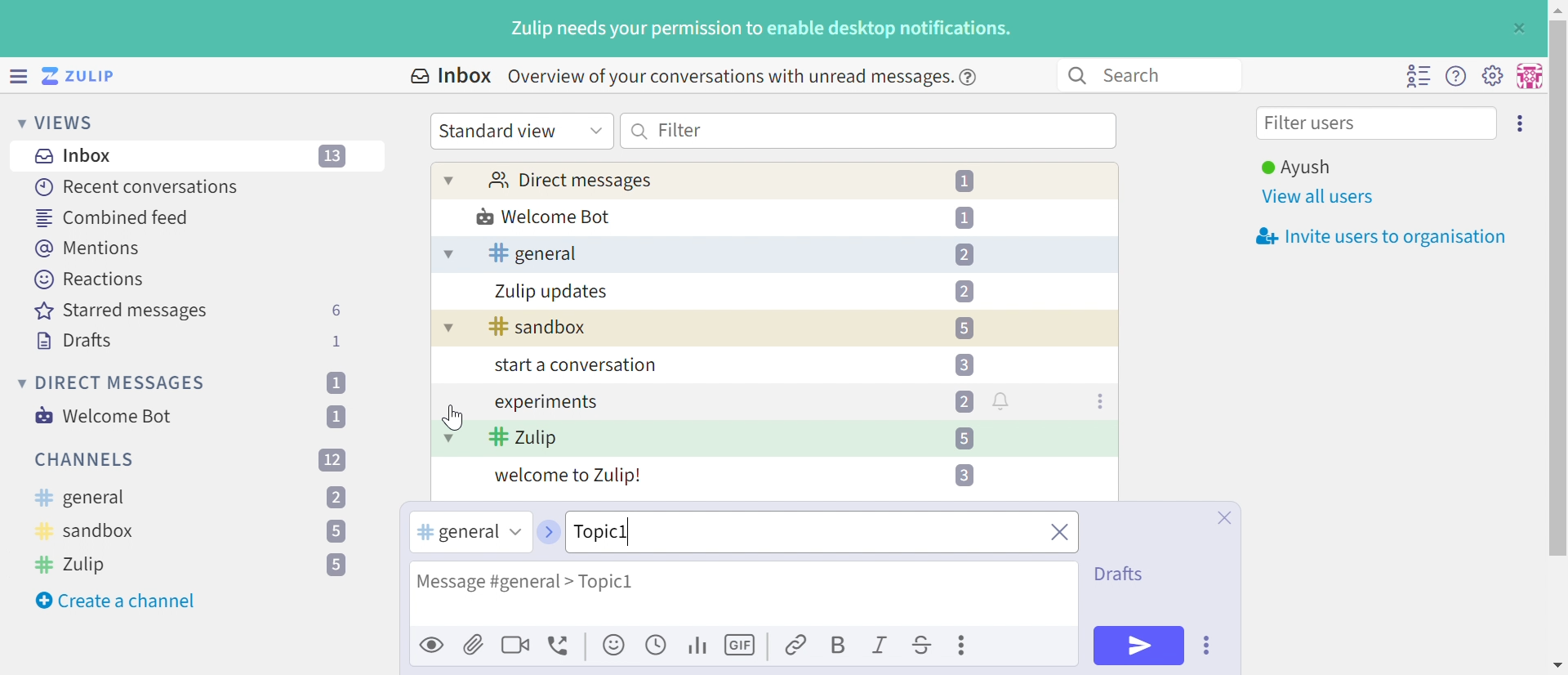  What do you see at coordinates (91, 248) in the screenshot?
I see `Mentions` at bounding box center [91, 248].